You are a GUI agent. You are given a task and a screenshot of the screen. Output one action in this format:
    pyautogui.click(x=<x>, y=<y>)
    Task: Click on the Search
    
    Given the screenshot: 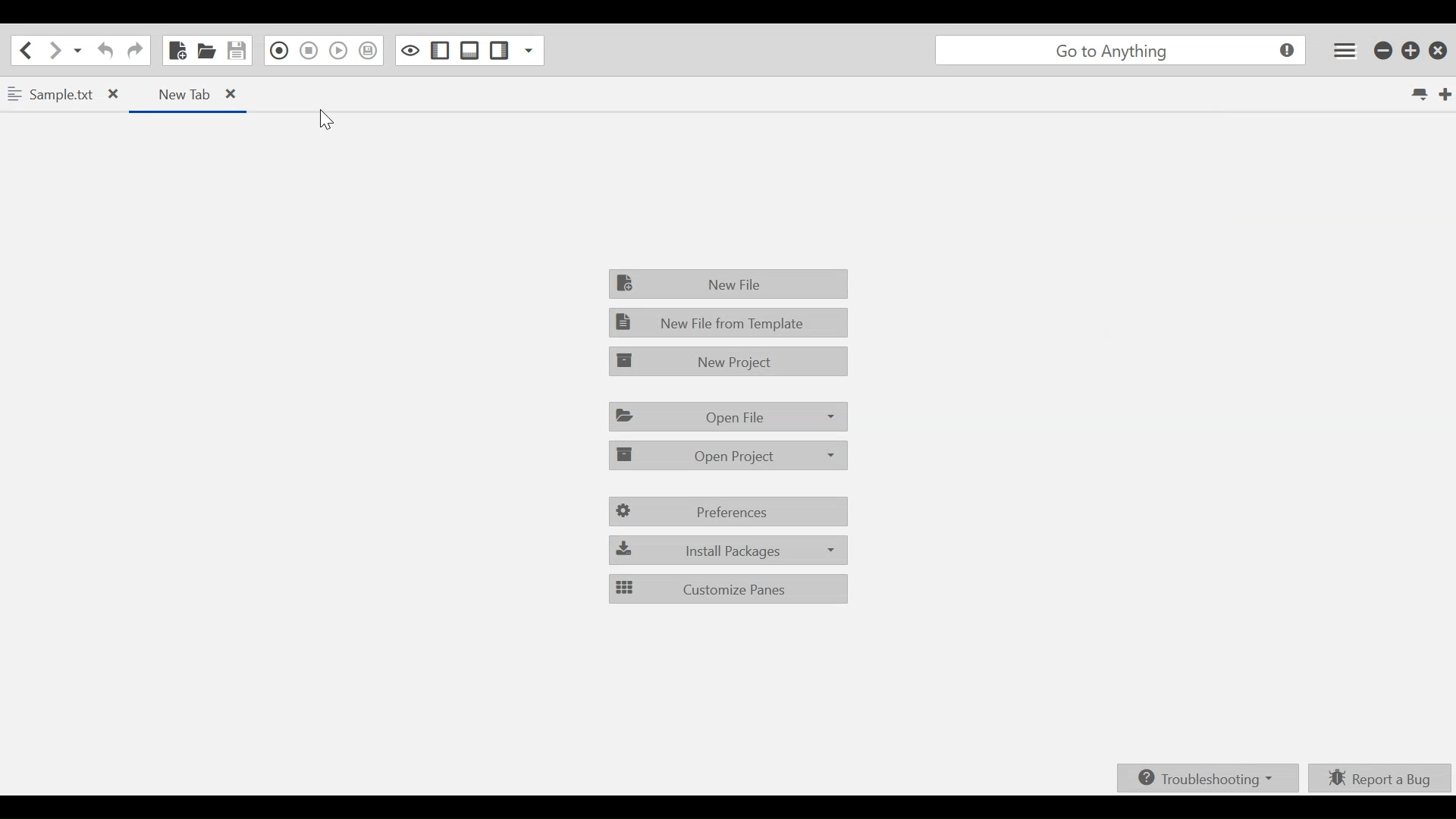 What is the action you would take?
    pyautogui.click(x=1119, y=51)
    